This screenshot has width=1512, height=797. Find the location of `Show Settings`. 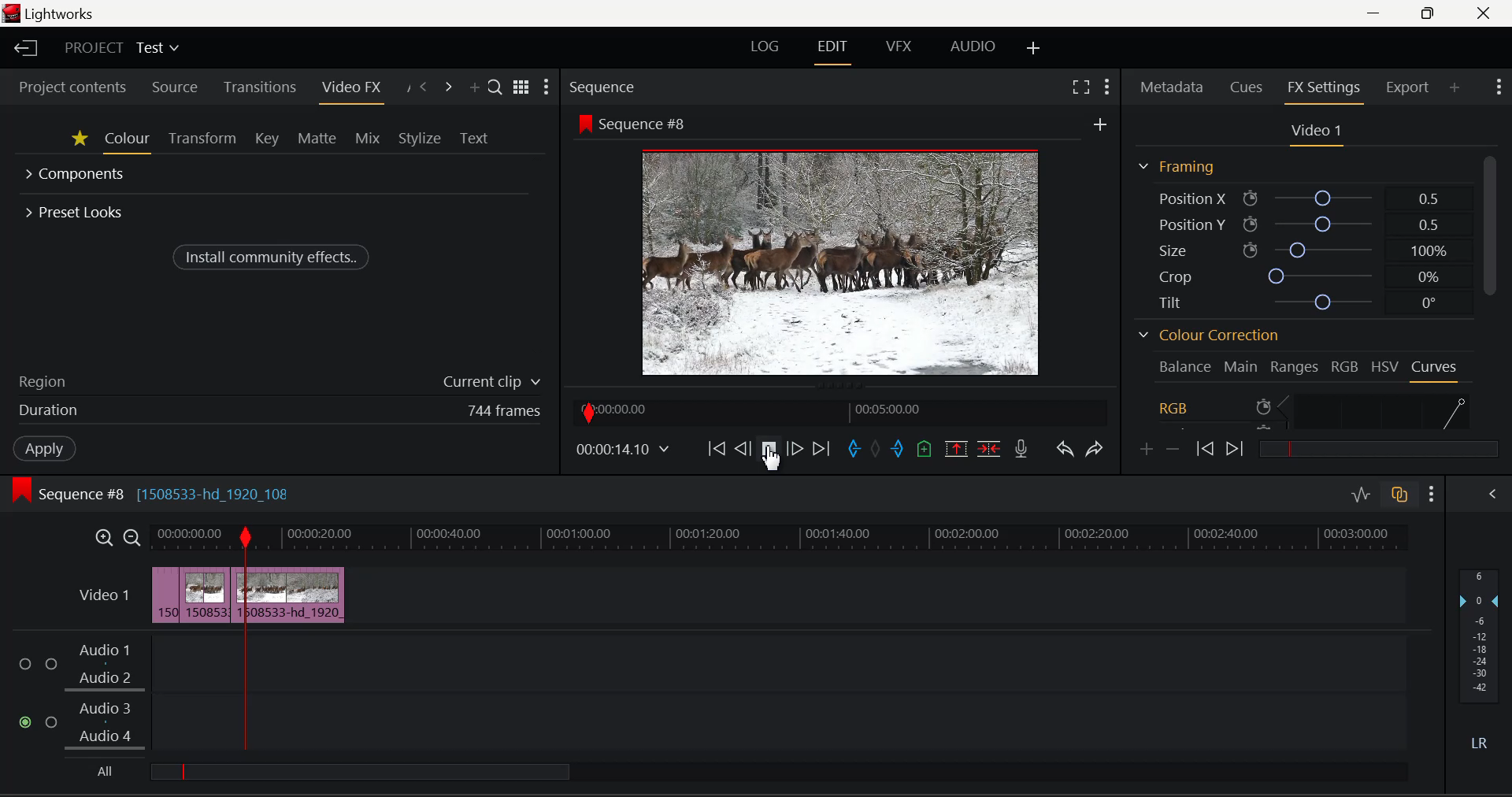

Show Settings is located at coordinates (1110, 86).